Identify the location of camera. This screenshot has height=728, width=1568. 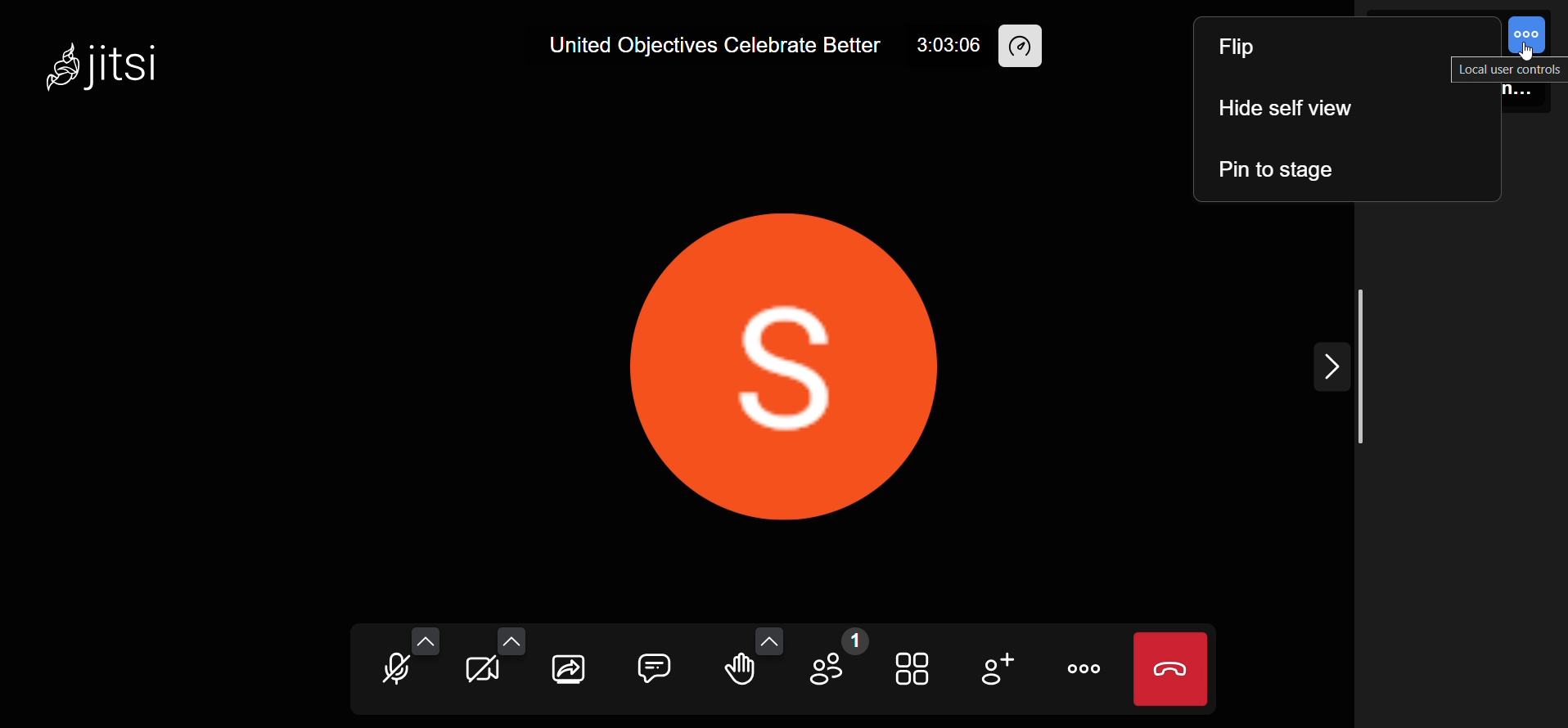
(483, 672).